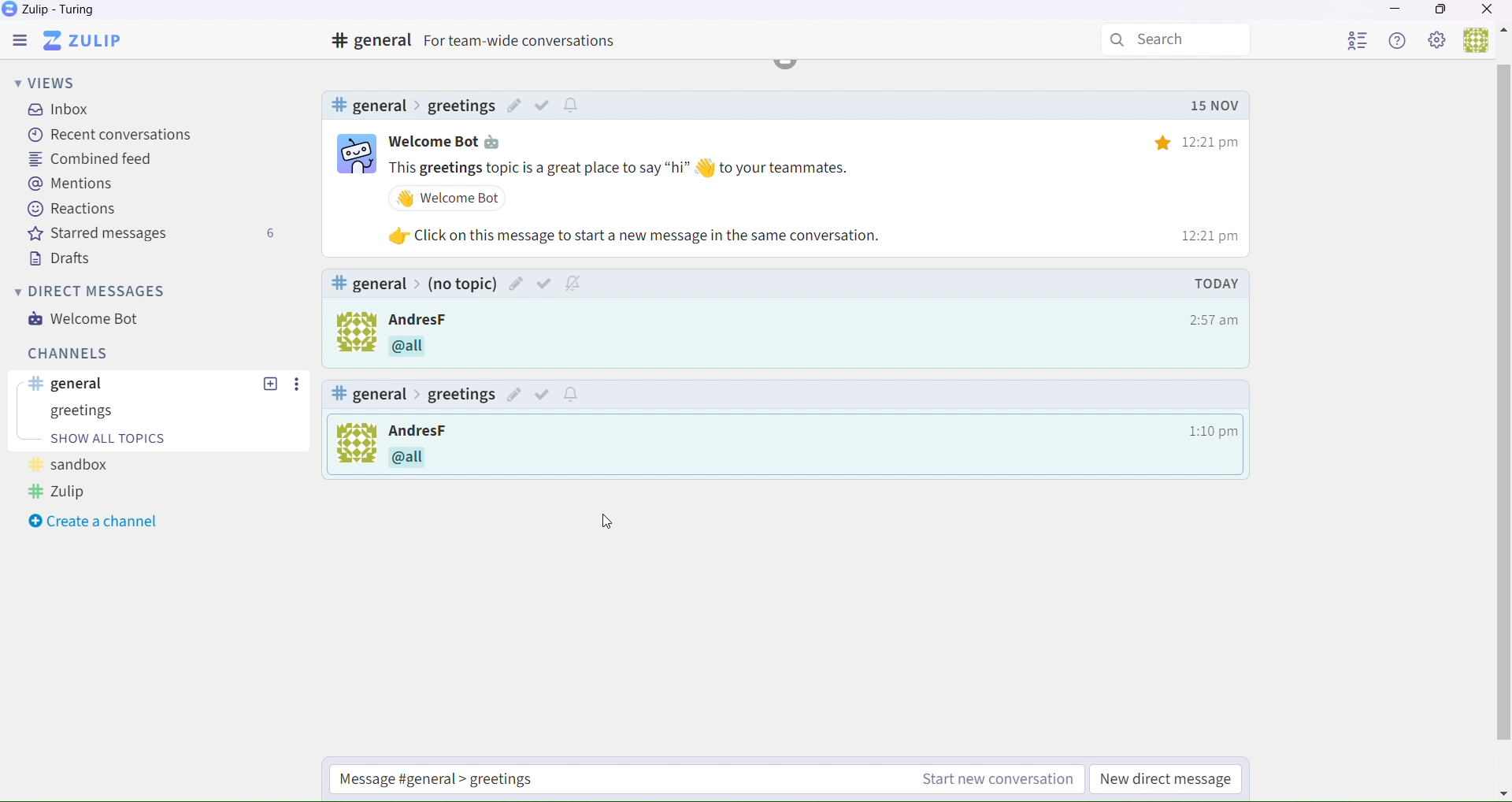 The height and width of the screenshot is (802, 1512). I want to click on bot logo, so click(358, 150).